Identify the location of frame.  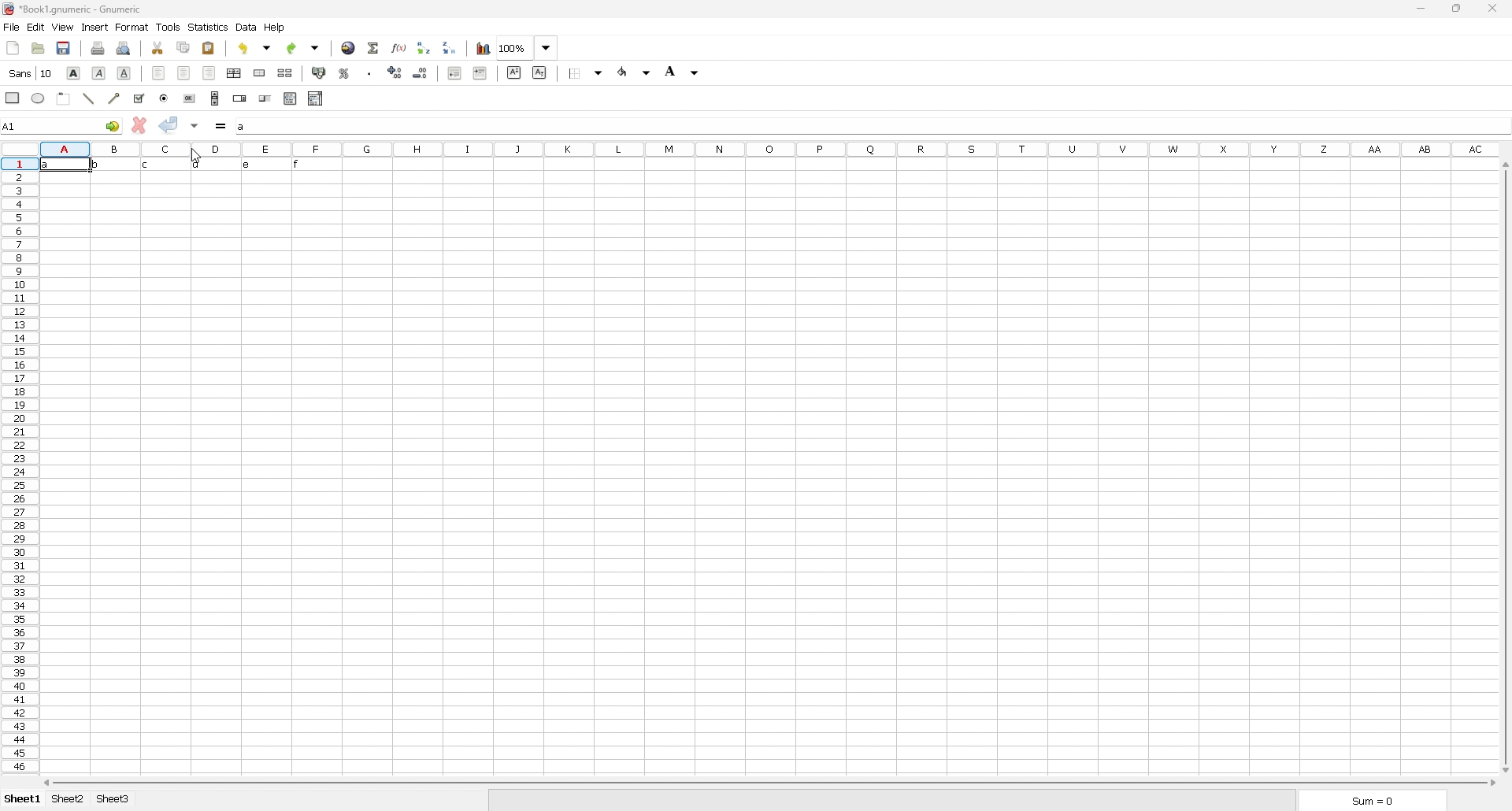
(65, 97).